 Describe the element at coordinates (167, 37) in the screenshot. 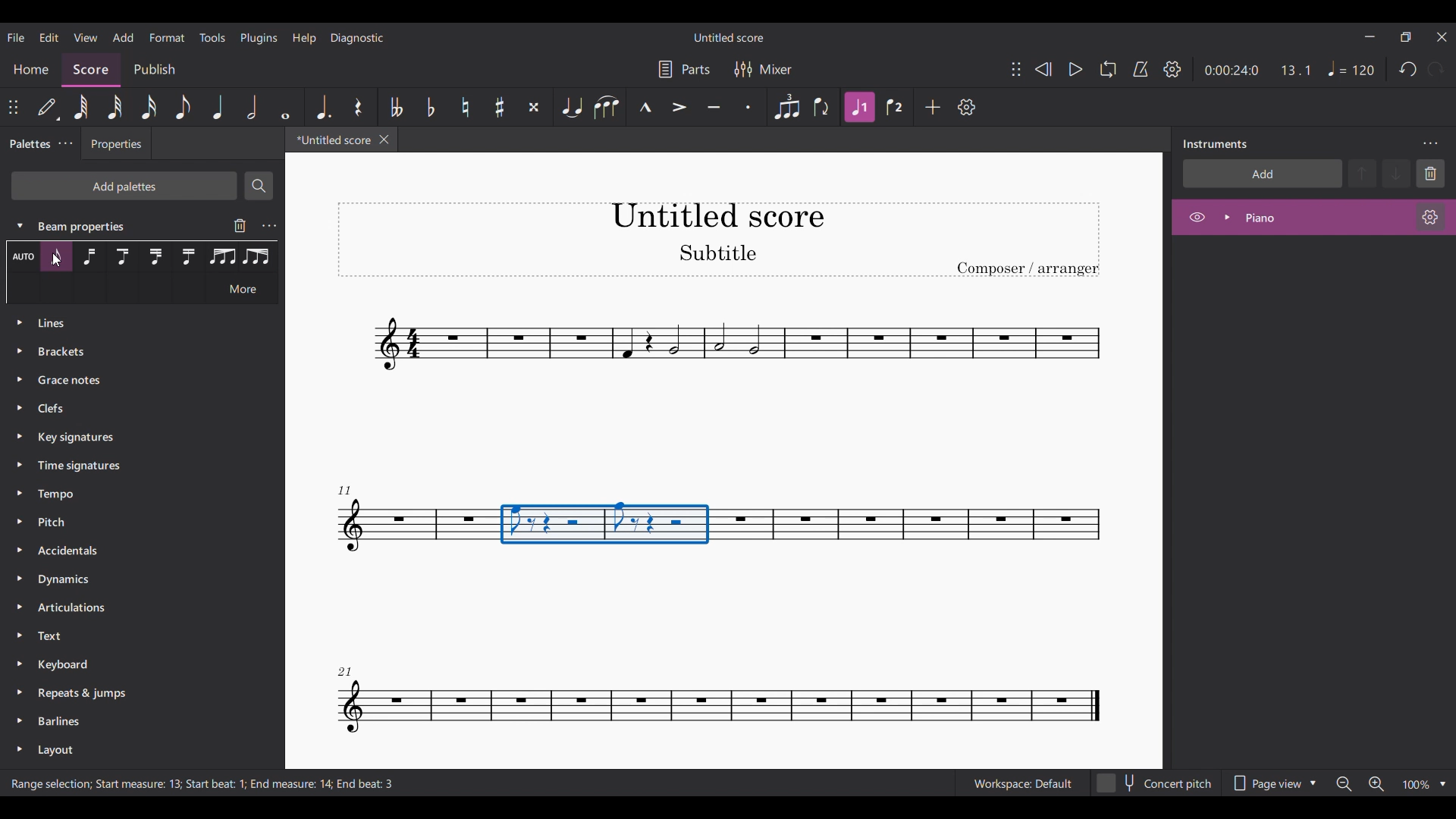

I see `Format menu` at that location.